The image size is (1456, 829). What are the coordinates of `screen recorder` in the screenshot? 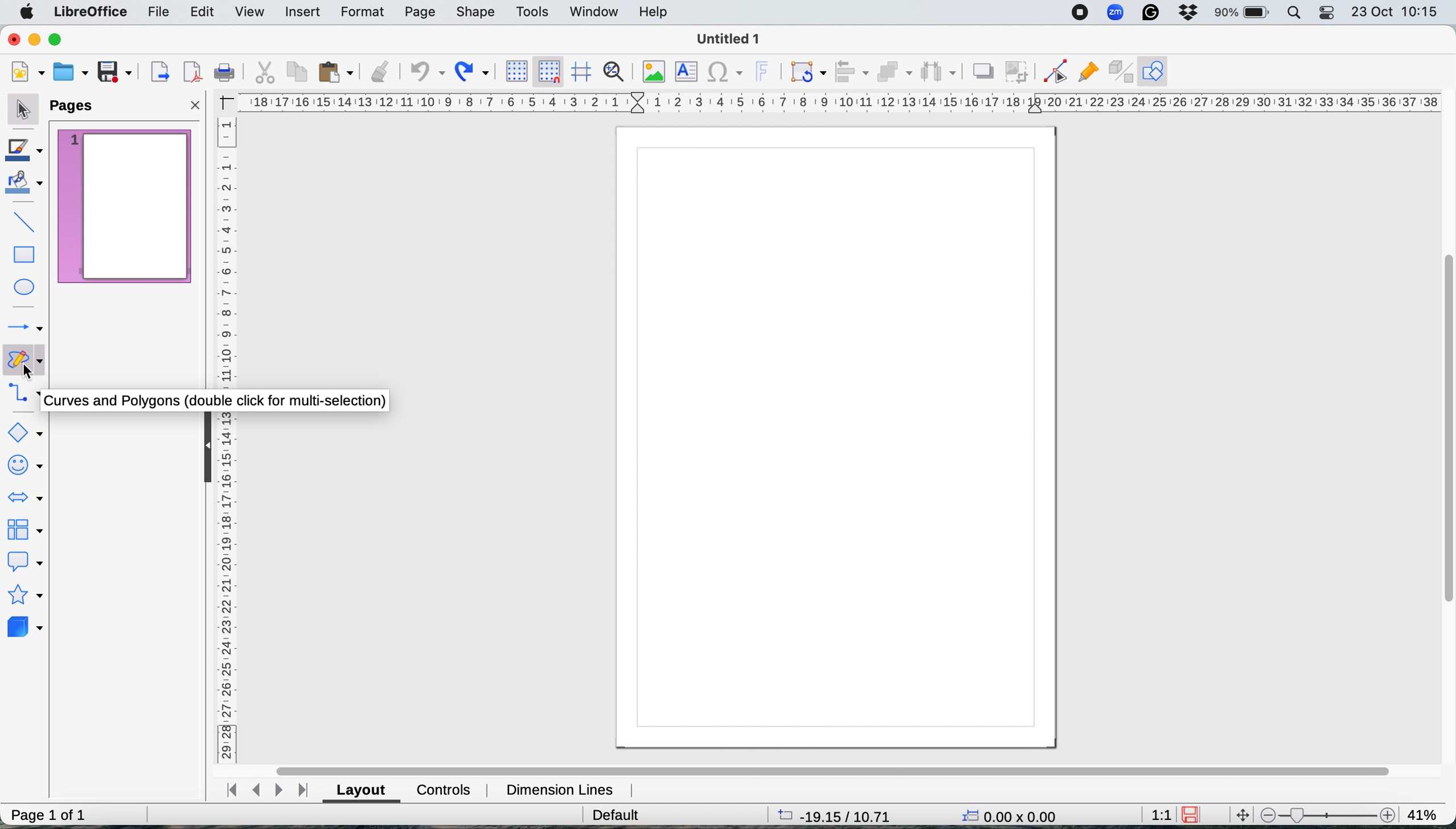 It's located at (1081, 13).